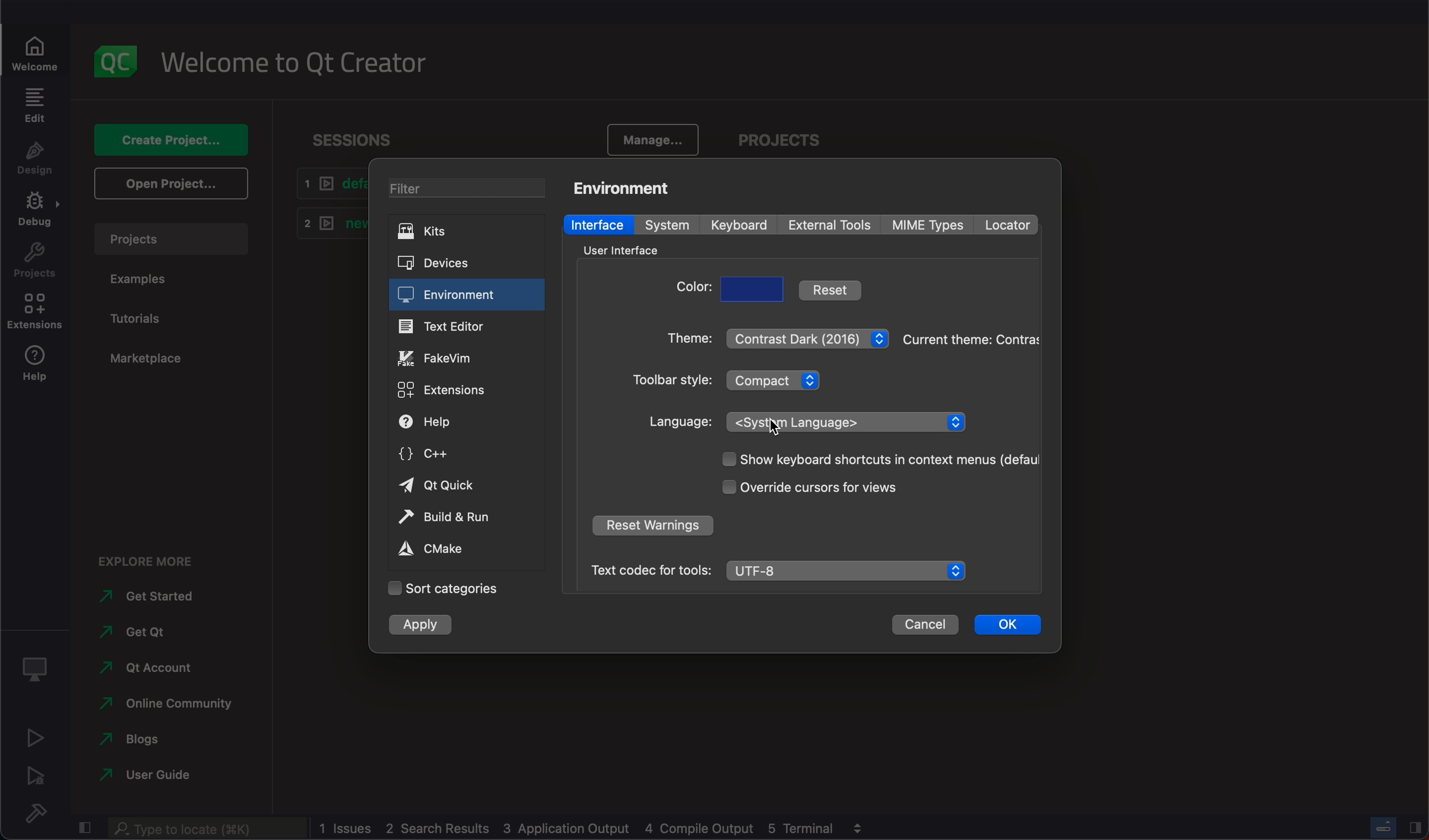 Image resolution: width=1429 pixels, height=840 pixels. What do you see at coordinates (846, 569) in the screenshot?
I see `UTF-8` at bounding box center [846, 569].